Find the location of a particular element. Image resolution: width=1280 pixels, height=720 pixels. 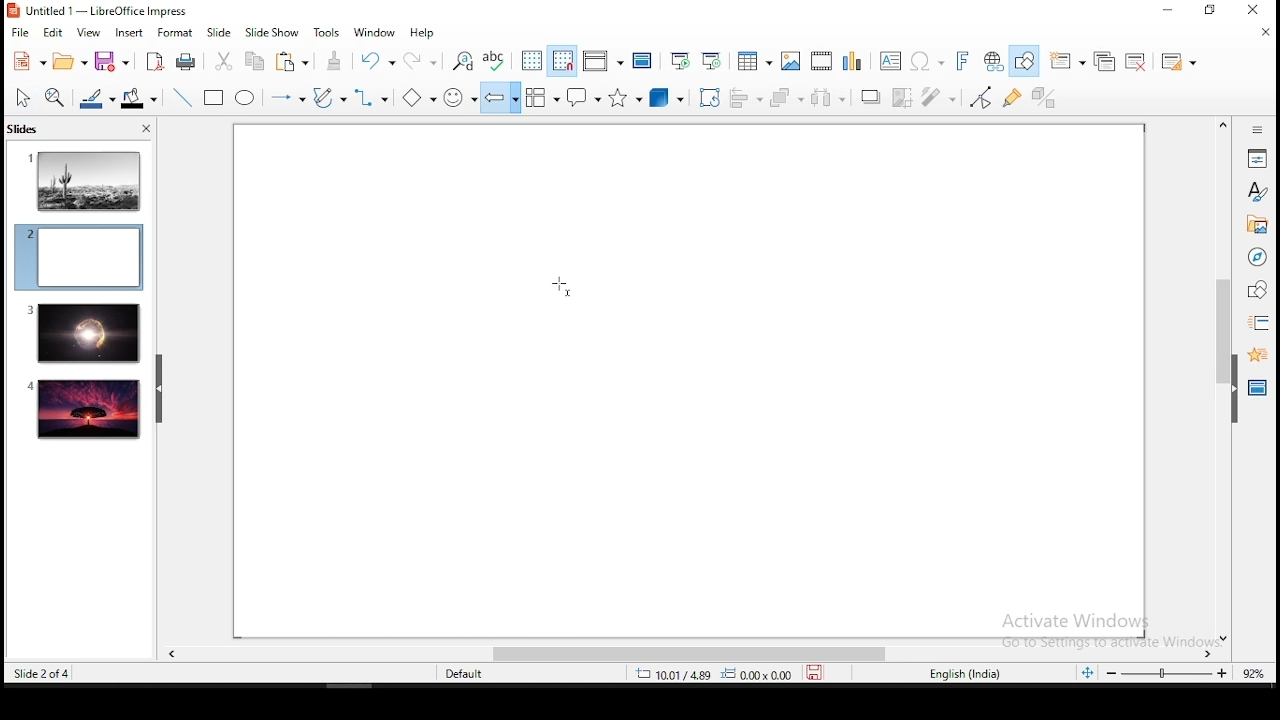

save is located at coordinates (111, 64).